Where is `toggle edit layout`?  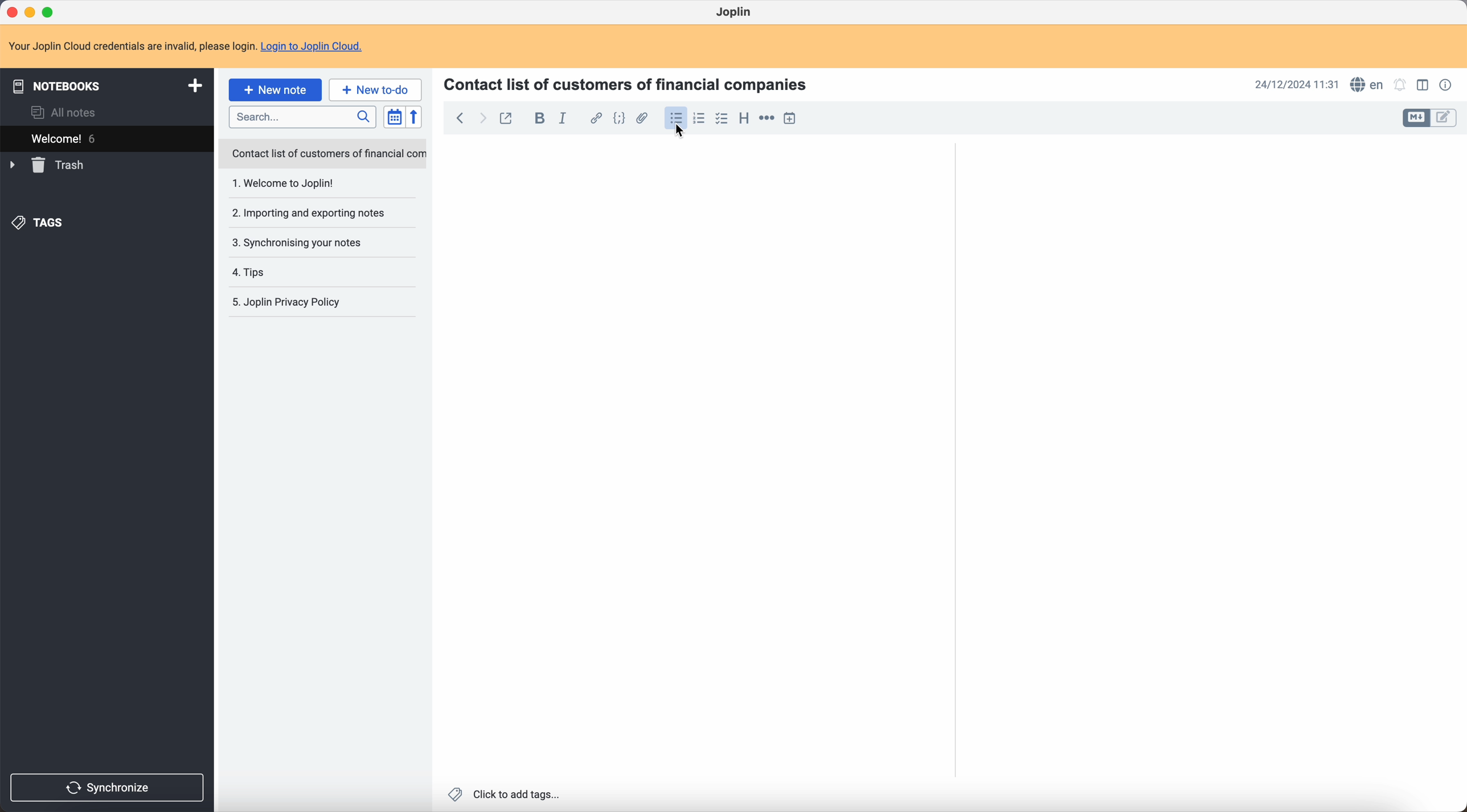 toggle edit layout is located at coordinates (1417, 118).